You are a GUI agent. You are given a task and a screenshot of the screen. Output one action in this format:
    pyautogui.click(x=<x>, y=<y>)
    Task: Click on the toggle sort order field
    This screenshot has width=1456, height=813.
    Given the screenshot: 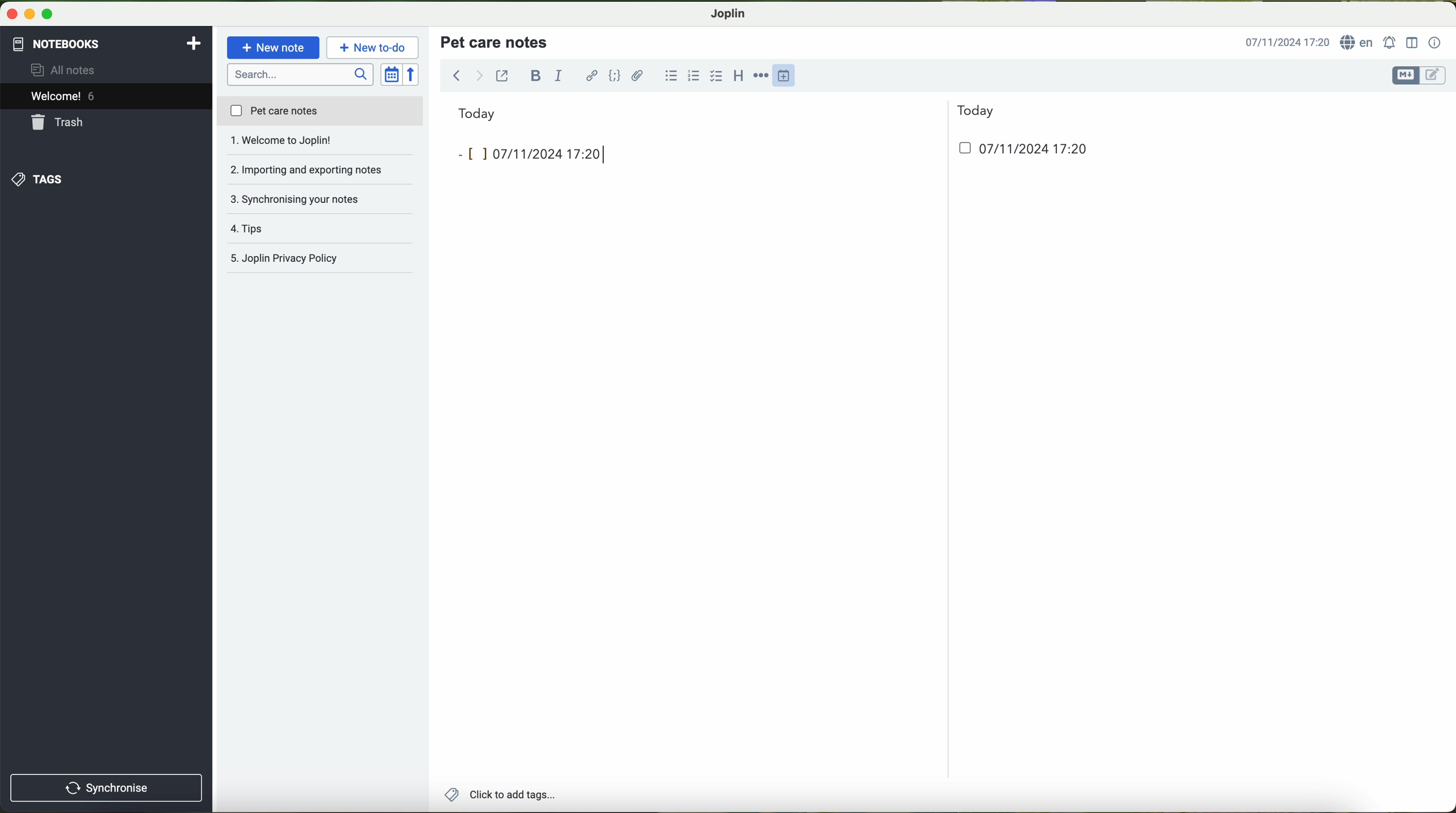 What is the action you would take?
    pyautogui.click(x=392, y=75)
    